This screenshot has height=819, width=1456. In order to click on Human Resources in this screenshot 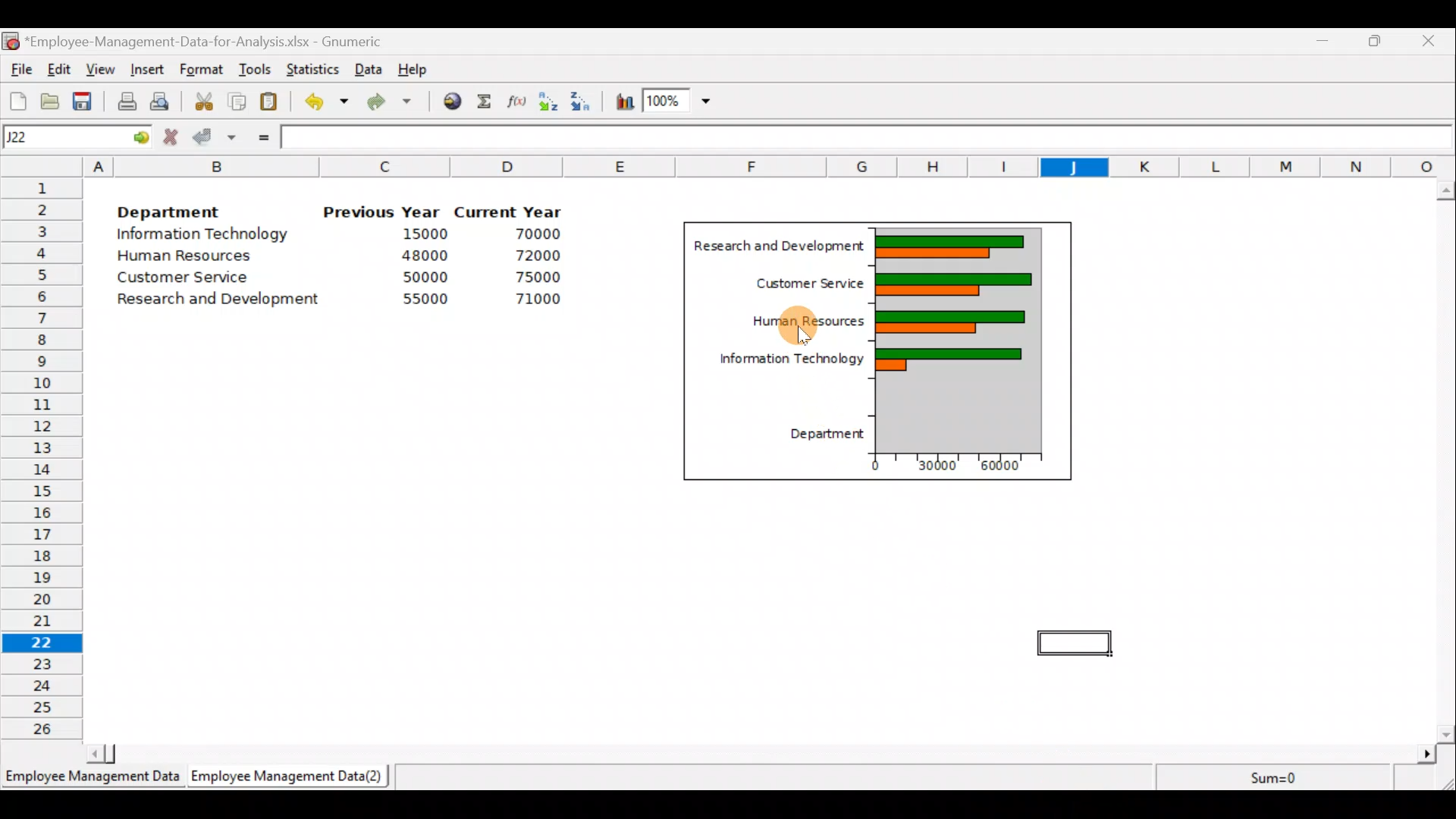, I will do `click(196, 257)`.